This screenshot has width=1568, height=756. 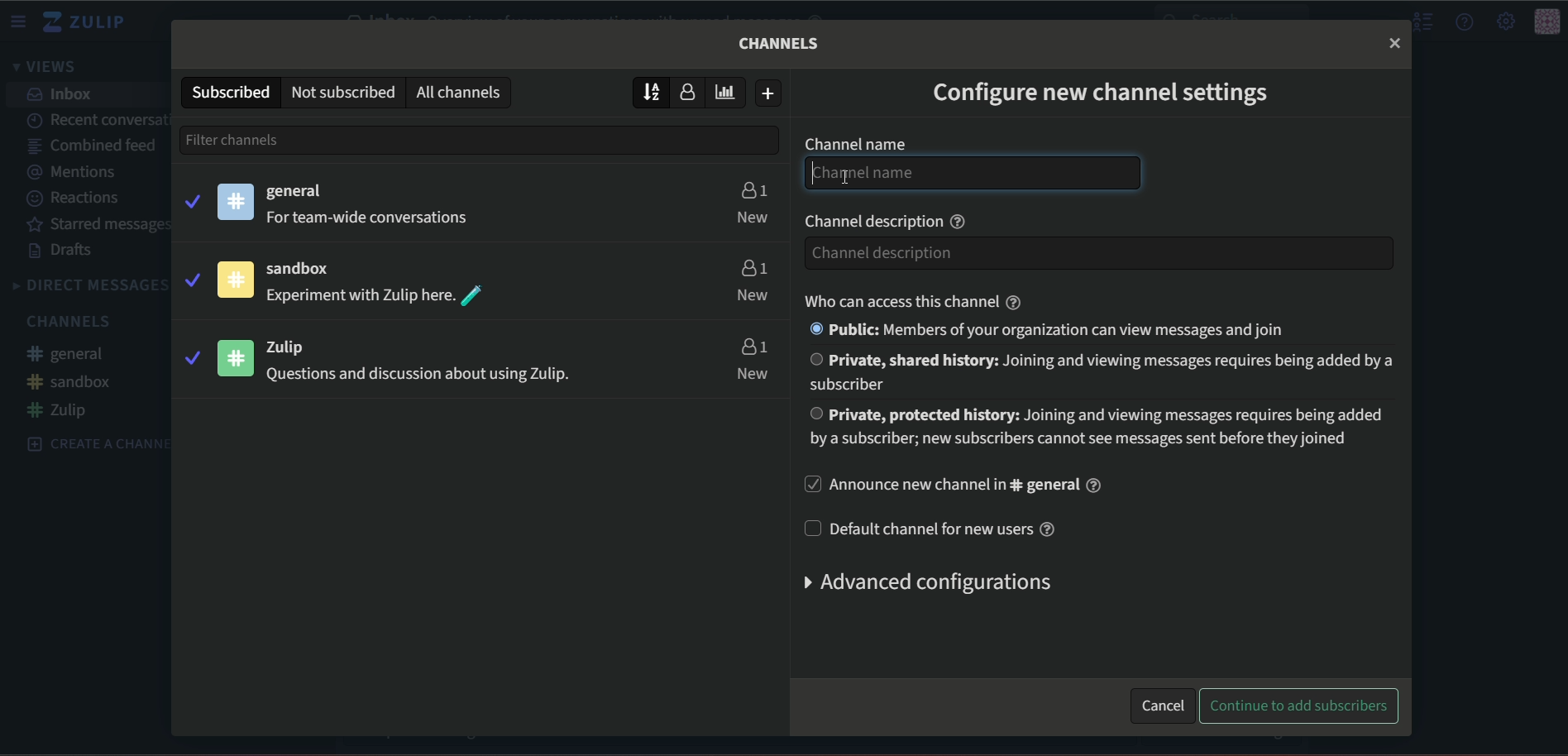 What do you see at coordinates (730, 92) in the screenshot?
I see `poll` at bounding box center [730, 92].